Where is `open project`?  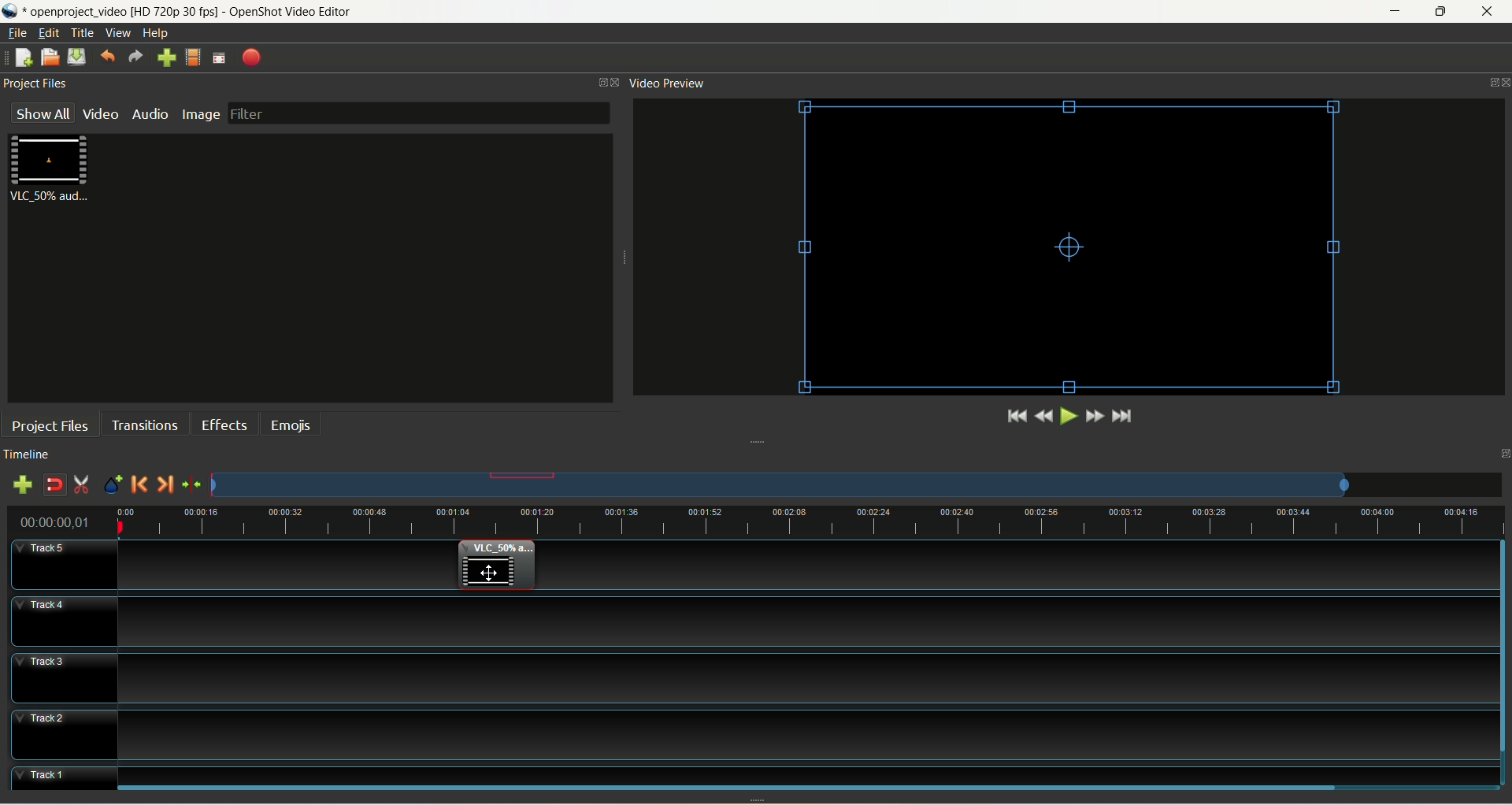
open project is located at coordinates (50, 57).